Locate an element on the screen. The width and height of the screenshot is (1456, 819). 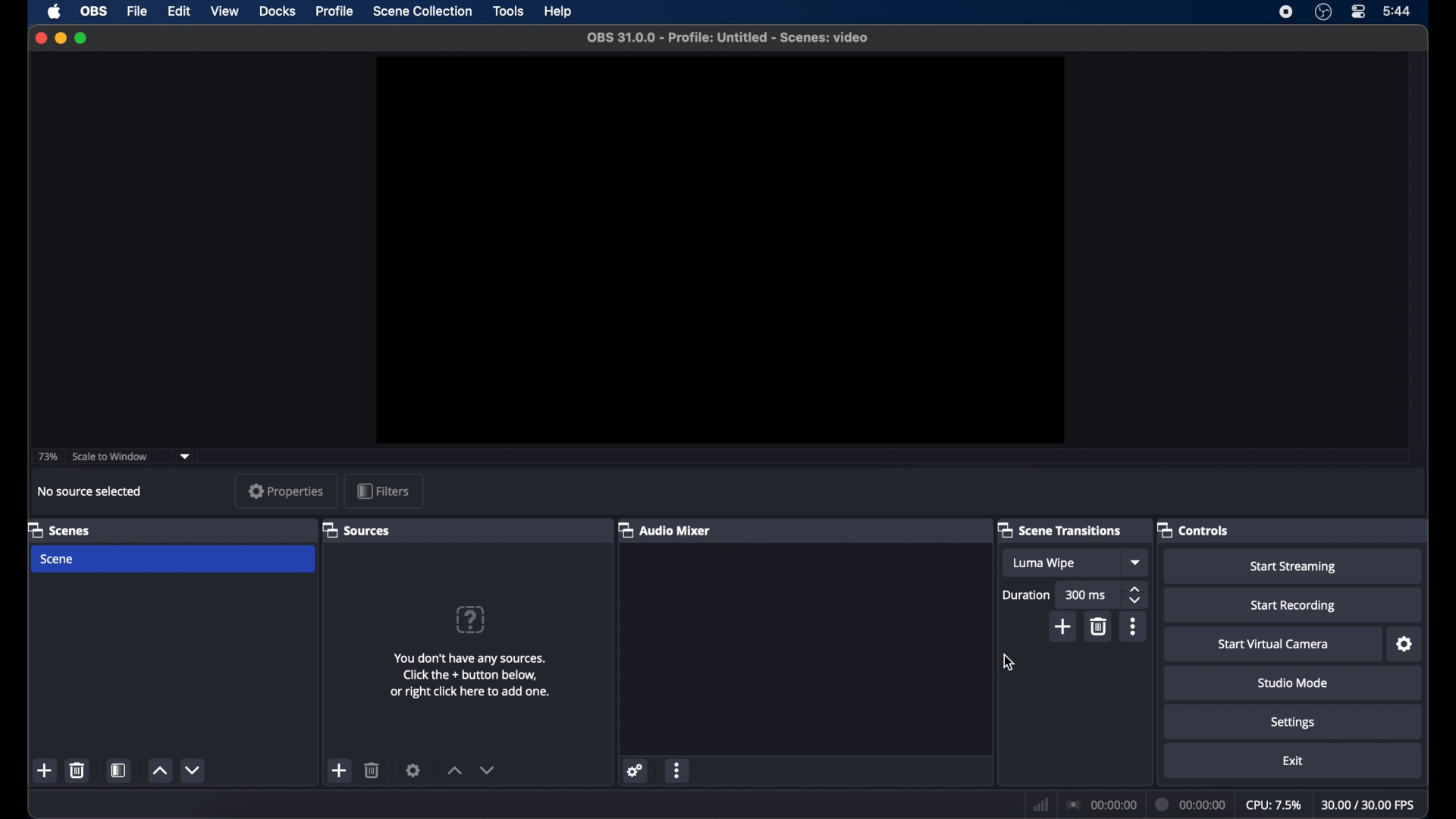
settings is located at coordinates (1404, 645).